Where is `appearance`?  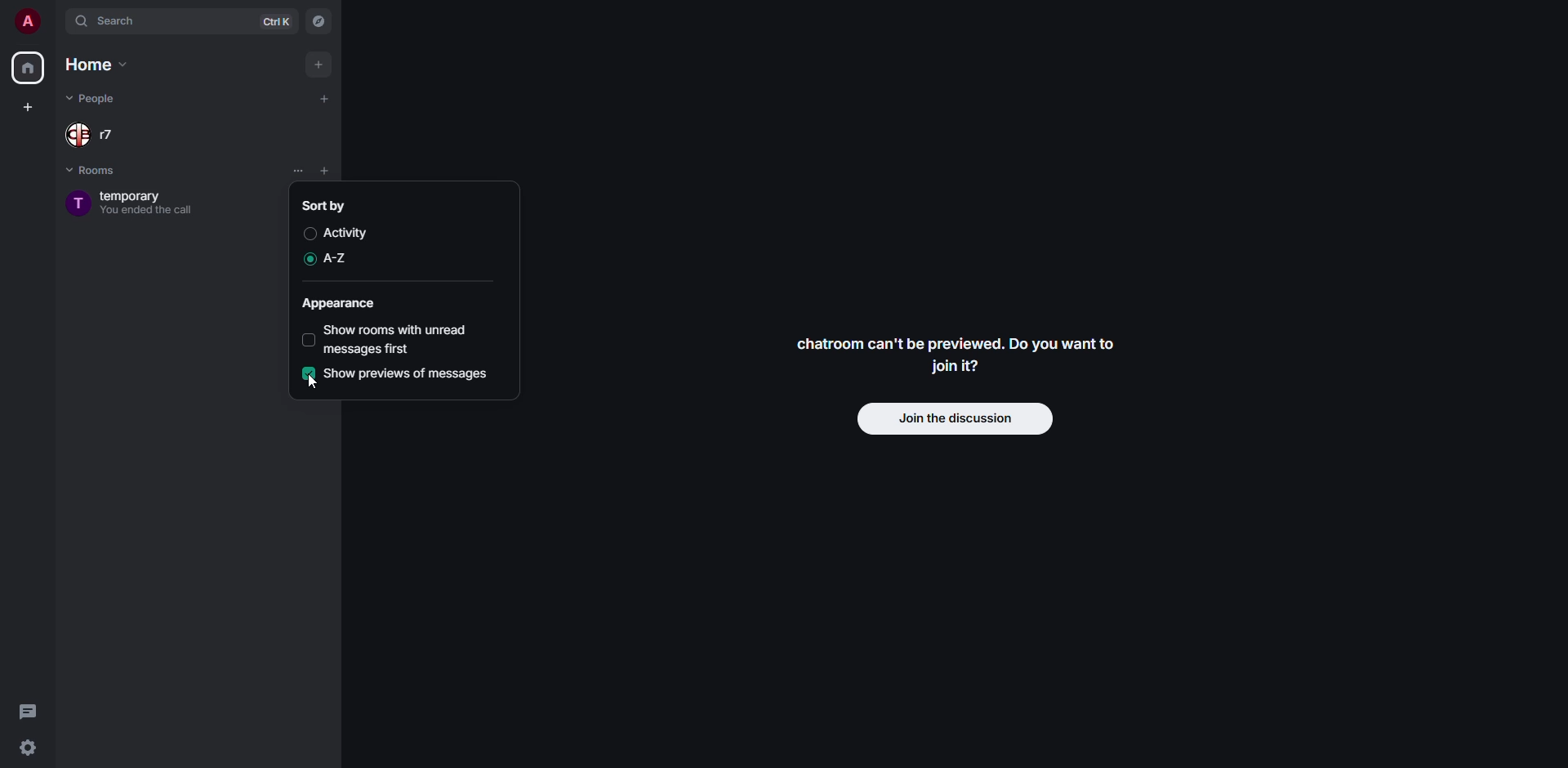 appearance is located at coordinates (341, 303).